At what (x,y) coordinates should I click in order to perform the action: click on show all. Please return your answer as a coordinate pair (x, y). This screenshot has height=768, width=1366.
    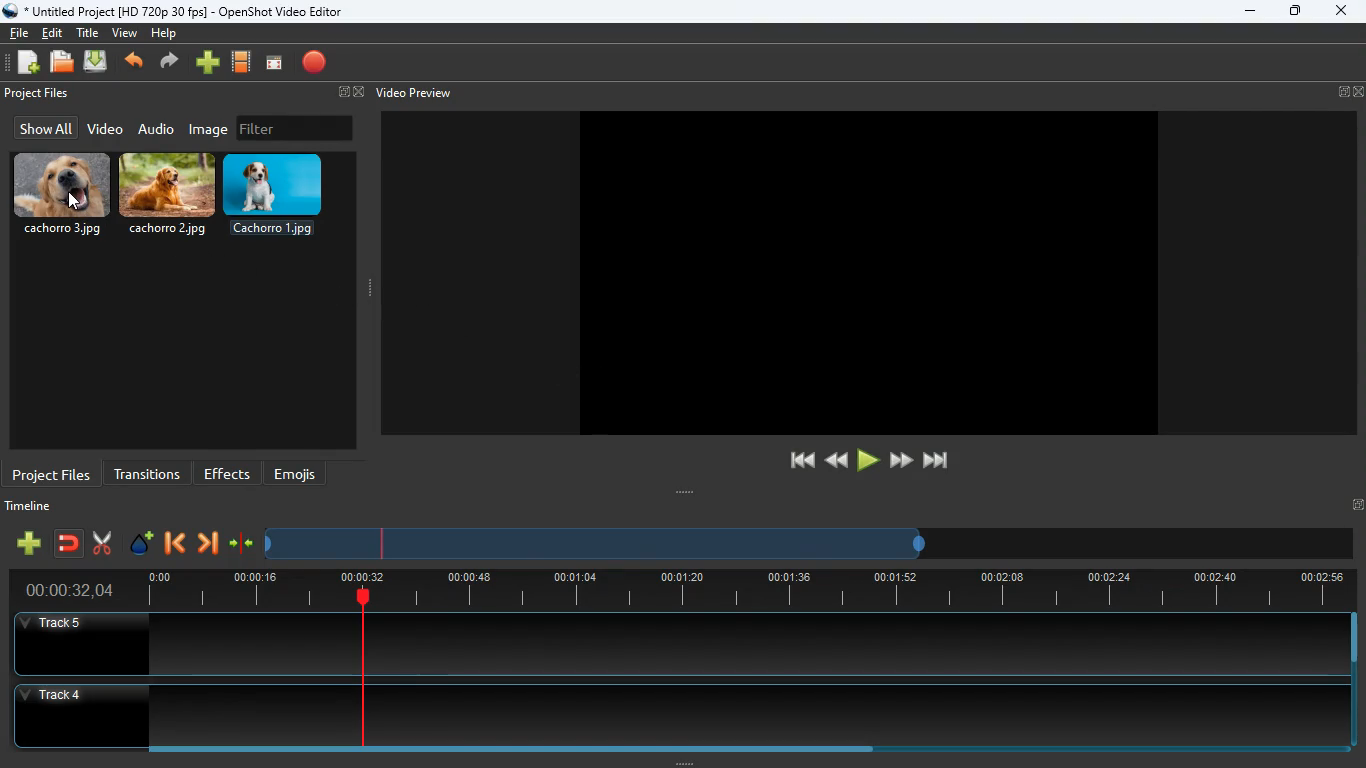
    Looking at the image, I should click on (43, 128).